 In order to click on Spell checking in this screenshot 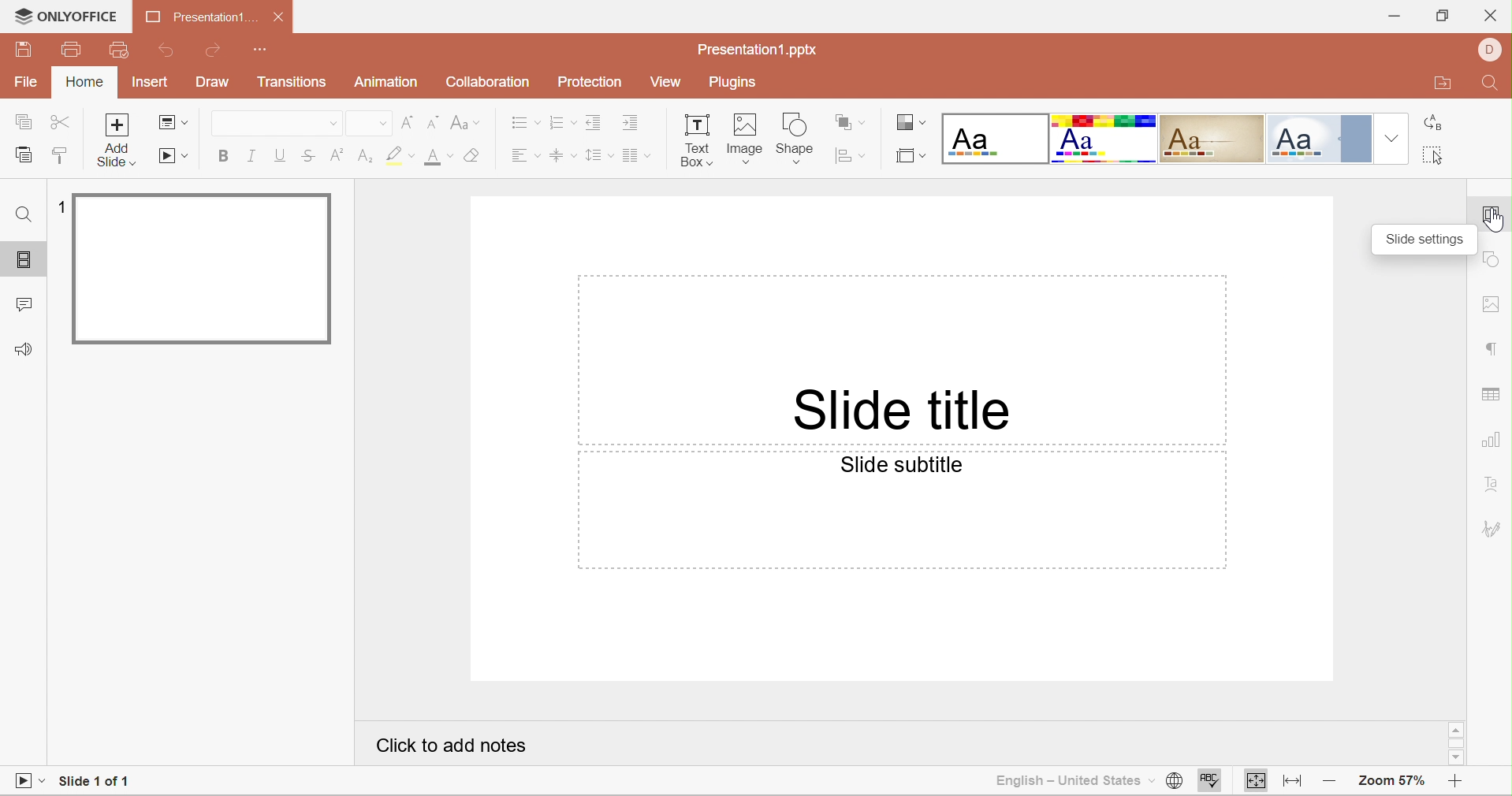, I will do `click(1210, 782)`.